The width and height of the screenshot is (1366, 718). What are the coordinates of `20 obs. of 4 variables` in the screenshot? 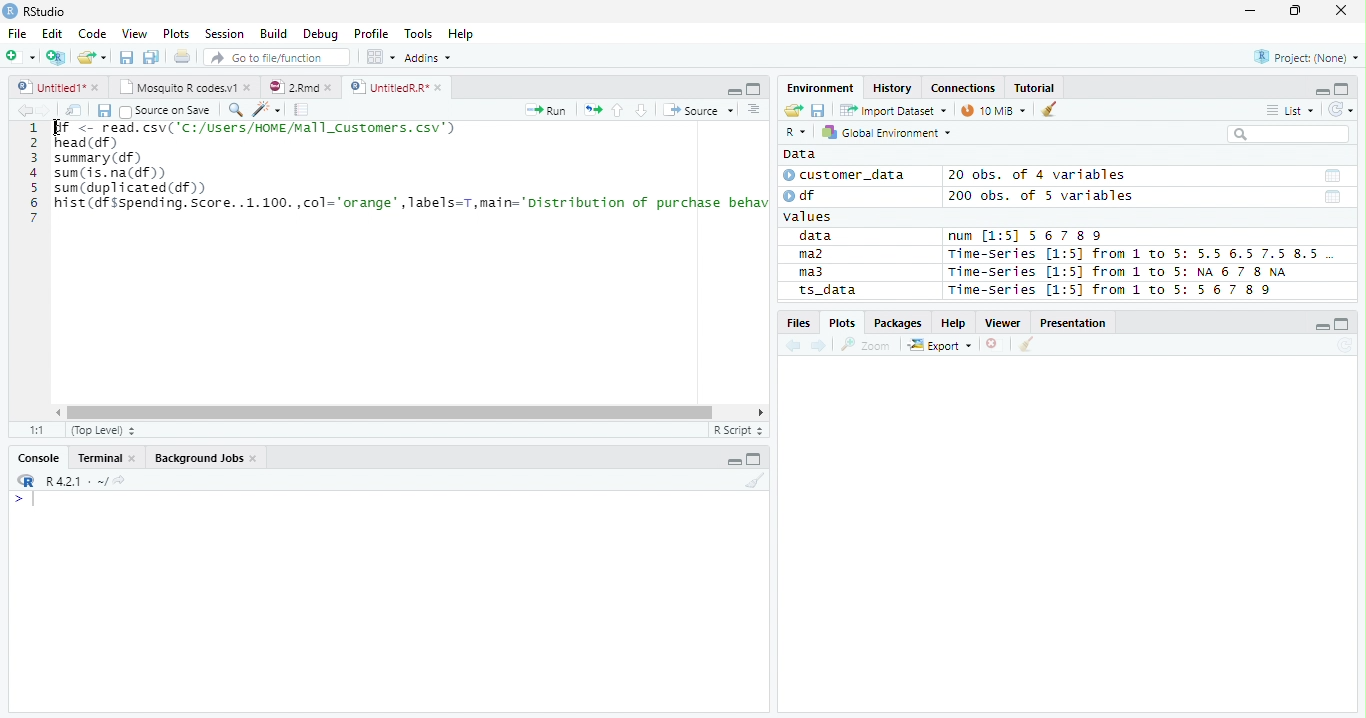 It's located at (1038, 177).